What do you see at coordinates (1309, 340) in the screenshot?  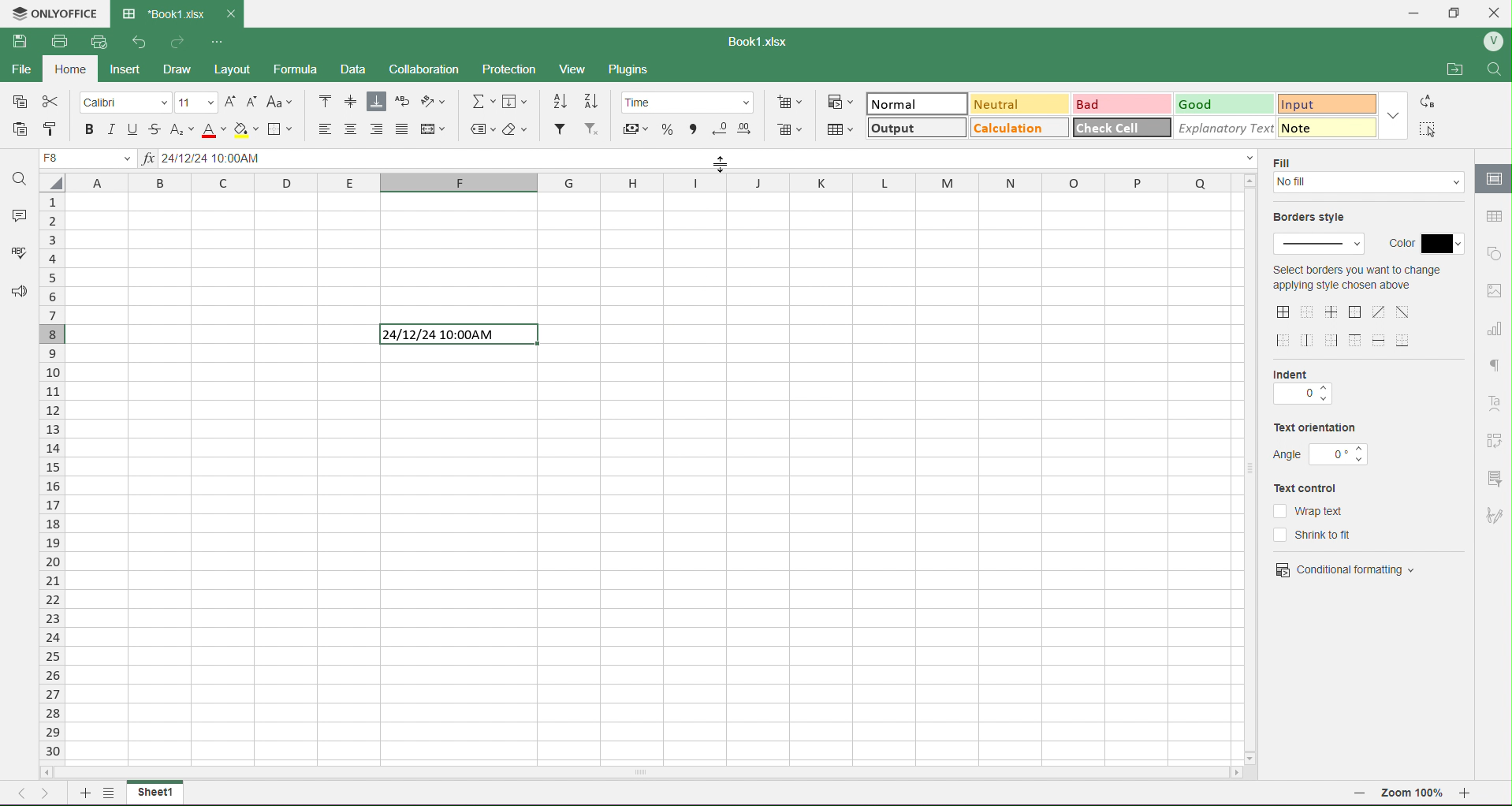 I see `vertical border` at bounding box center [1309, 340].